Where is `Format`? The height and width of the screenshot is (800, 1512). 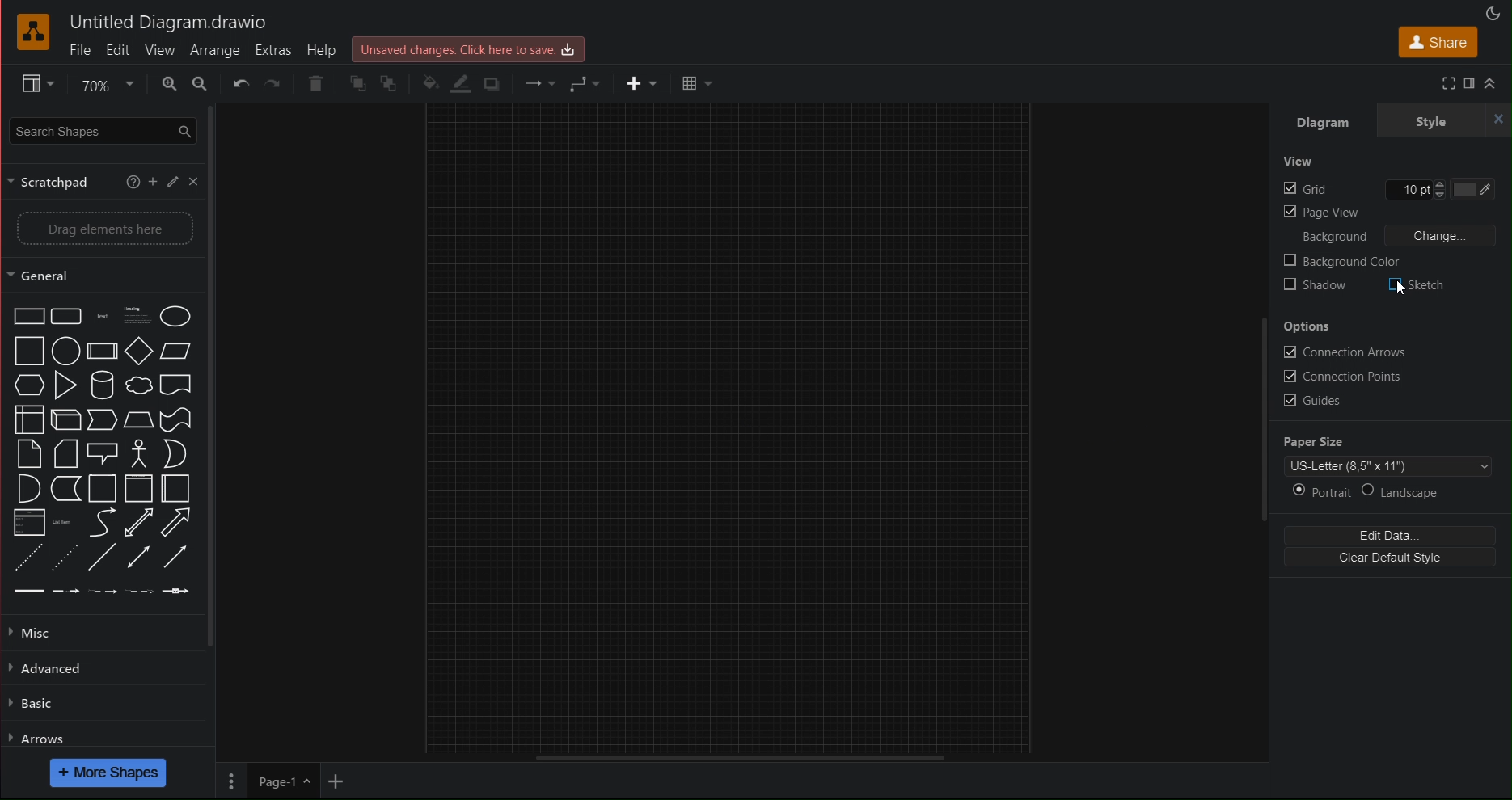
Format is located at coordinates (1471, 84).